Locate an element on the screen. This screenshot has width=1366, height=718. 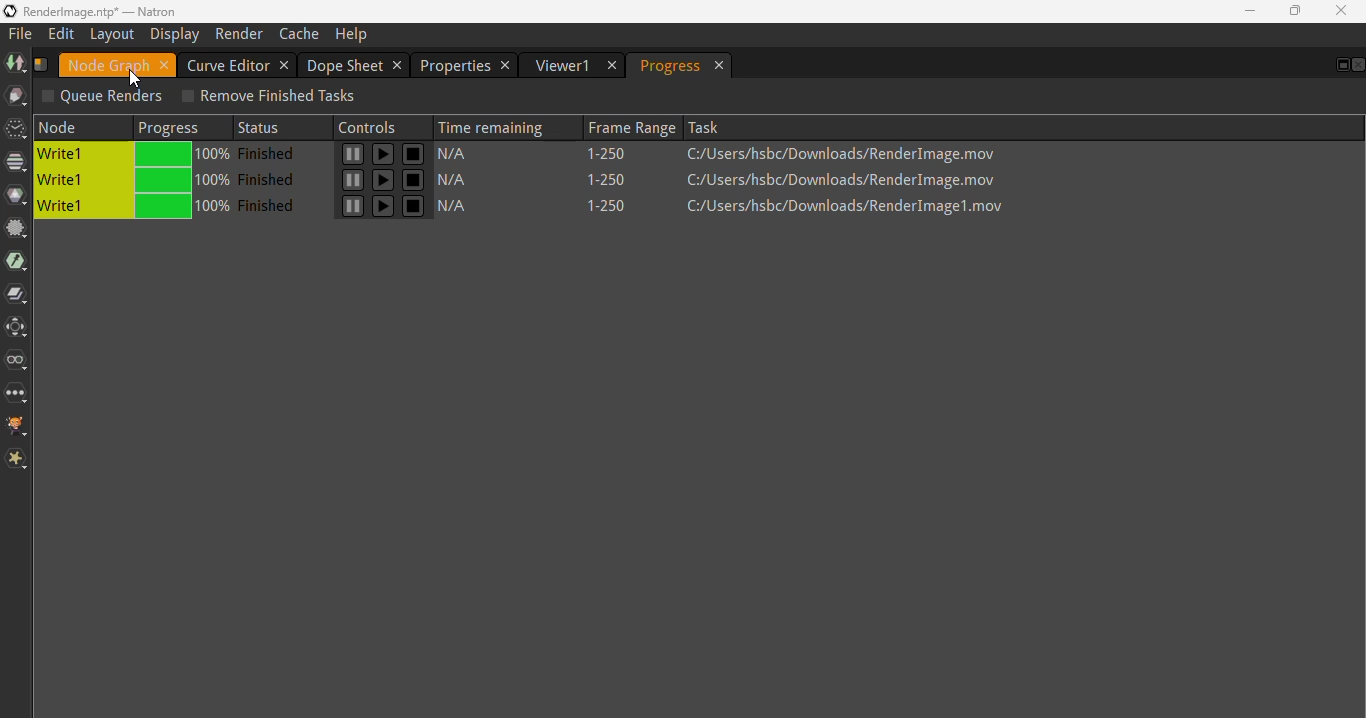
N/A is located at coordinates (460, 207).